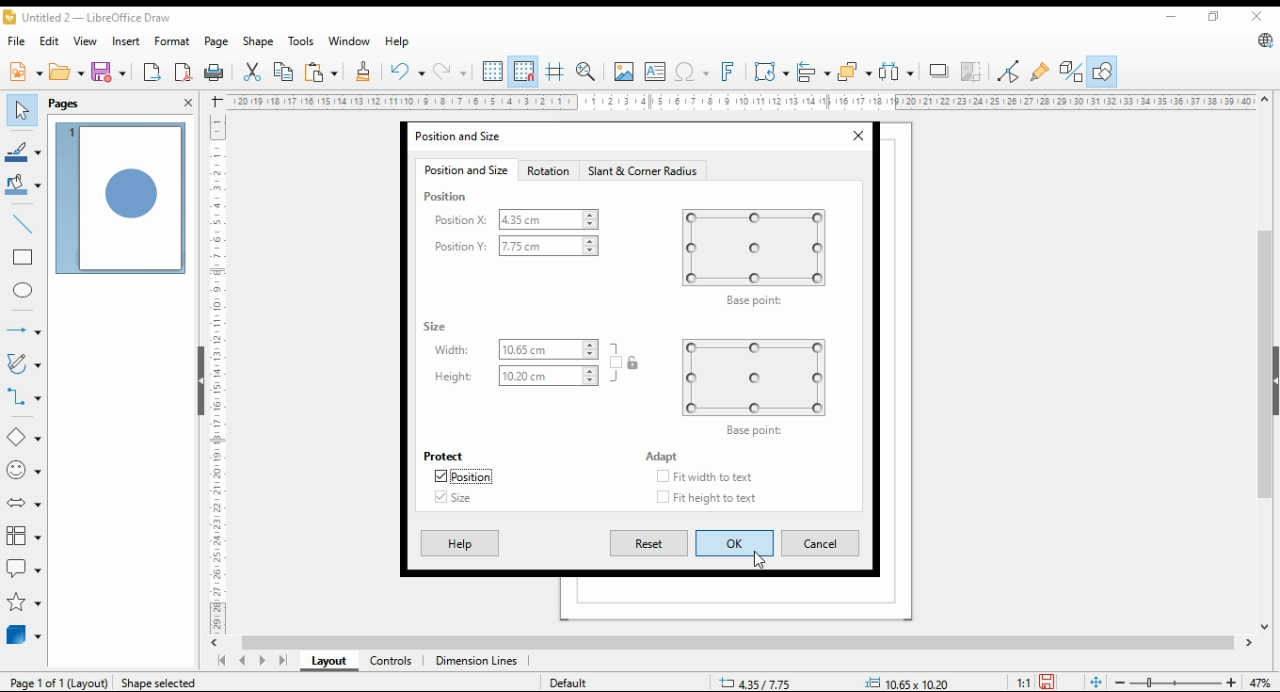  Describe the element at coordinates (17, 42) in the screenshot. I see `file` at that location.